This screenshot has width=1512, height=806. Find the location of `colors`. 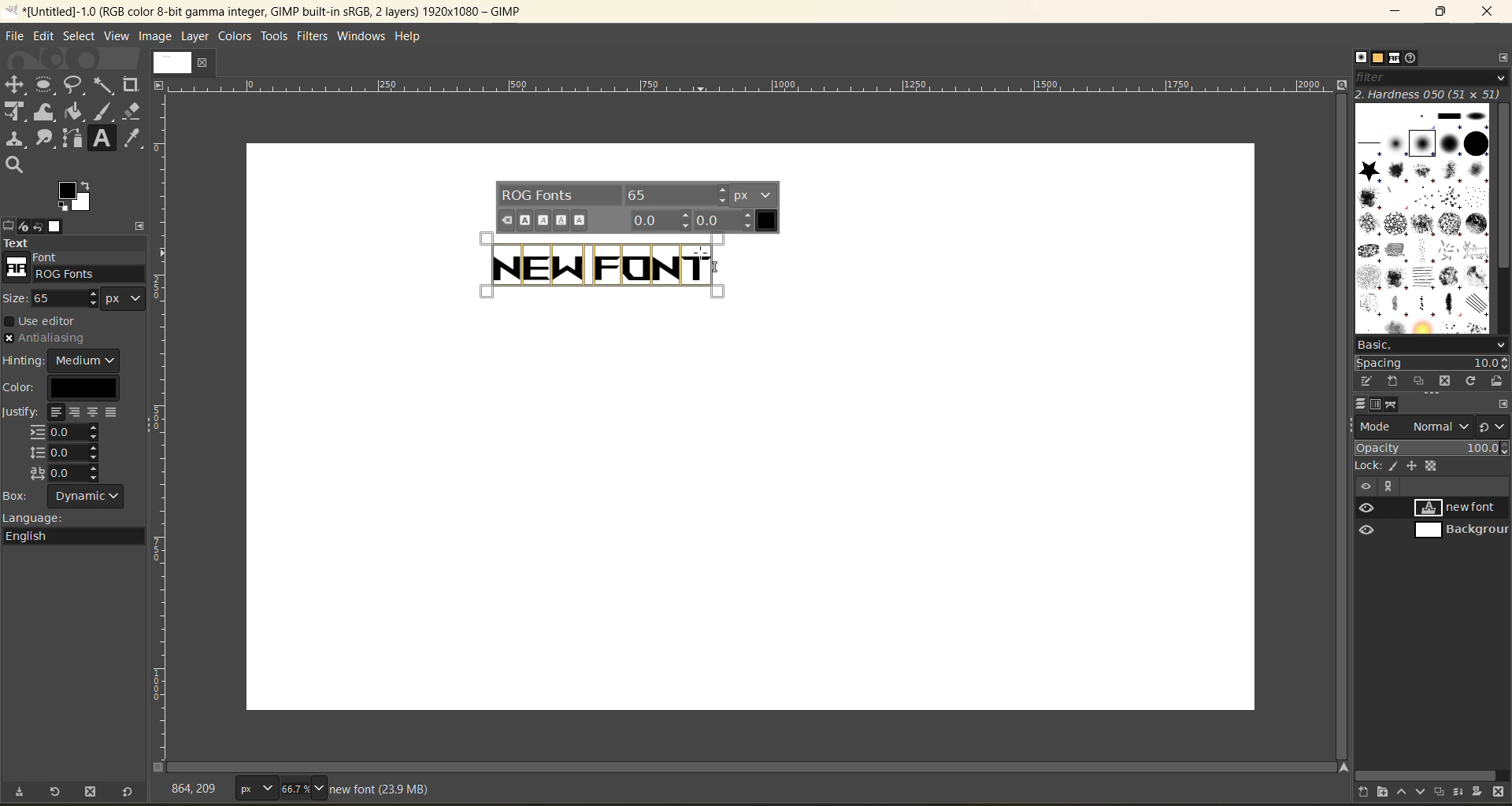

colors is located at coordinates (232, 36).